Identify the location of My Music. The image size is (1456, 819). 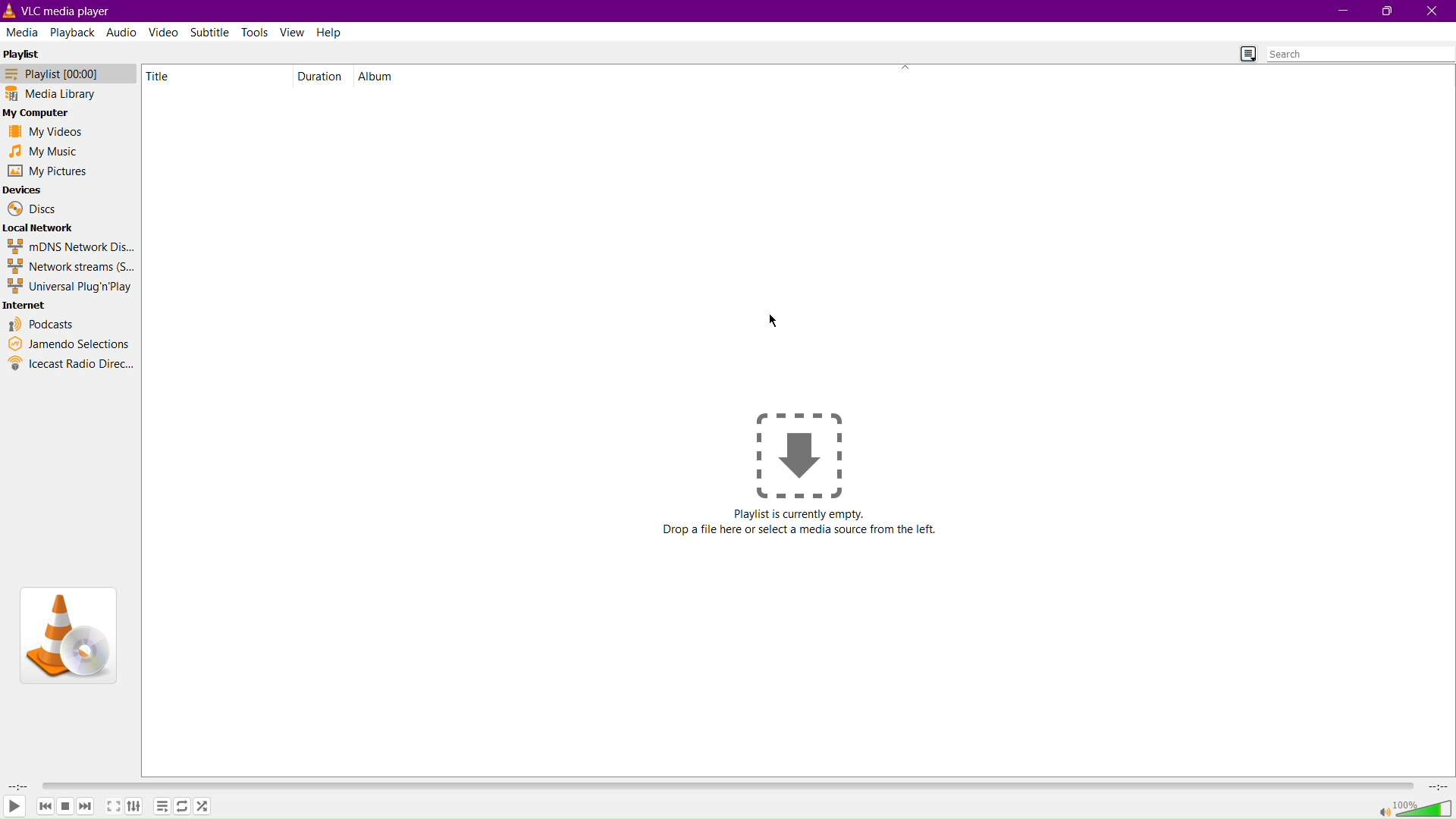
(42, 151).